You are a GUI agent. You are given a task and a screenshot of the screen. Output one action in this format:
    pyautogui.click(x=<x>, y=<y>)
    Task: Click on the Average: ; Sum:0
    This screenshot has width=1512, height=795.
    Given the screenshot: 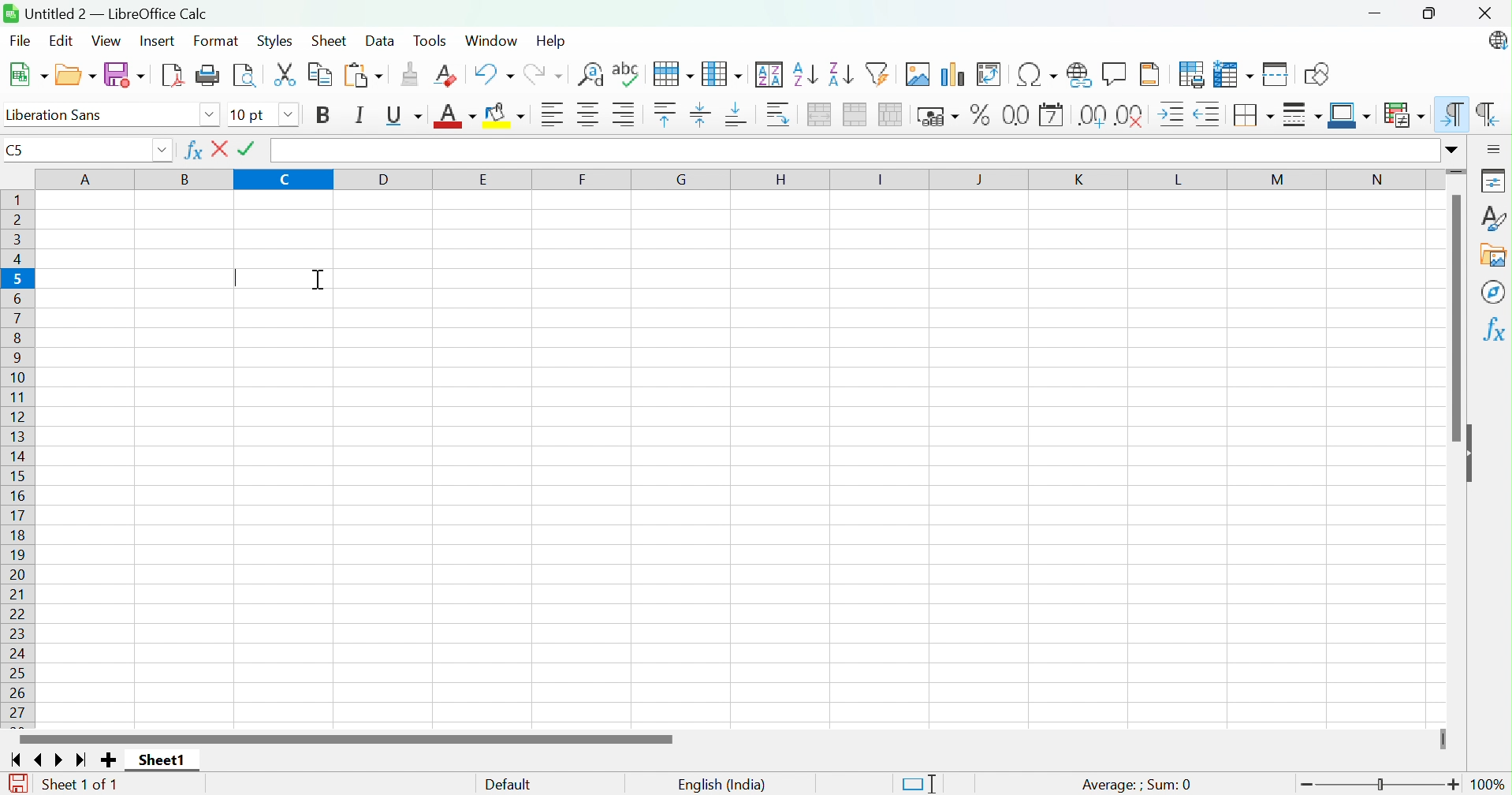 What is the action you would take?
    pyautogui.click(x=1136, y=784)
    